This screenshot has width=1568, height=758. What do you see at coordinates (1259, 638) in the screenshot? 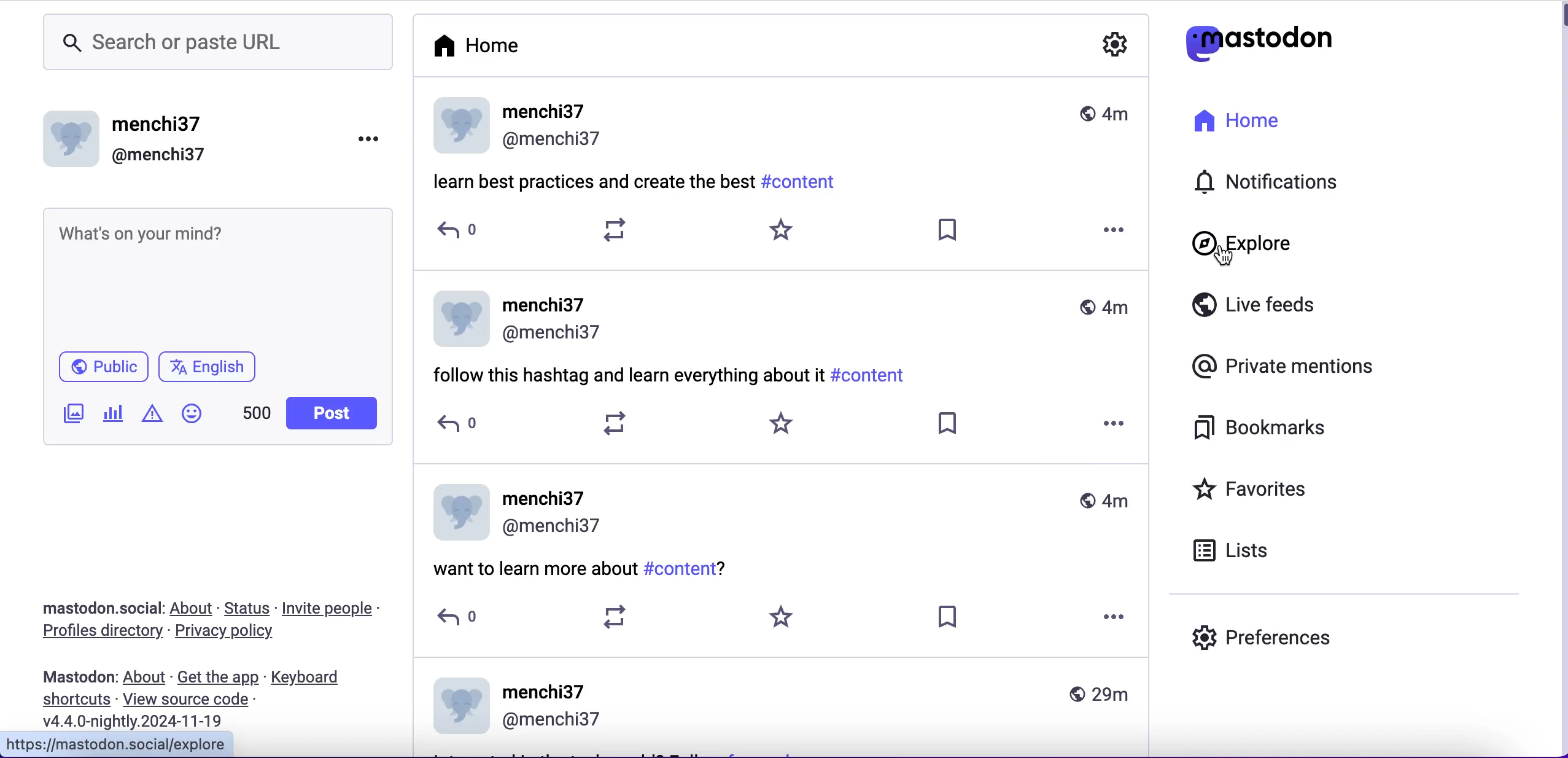
I see `preferences` at bounding box center [1259, 638].